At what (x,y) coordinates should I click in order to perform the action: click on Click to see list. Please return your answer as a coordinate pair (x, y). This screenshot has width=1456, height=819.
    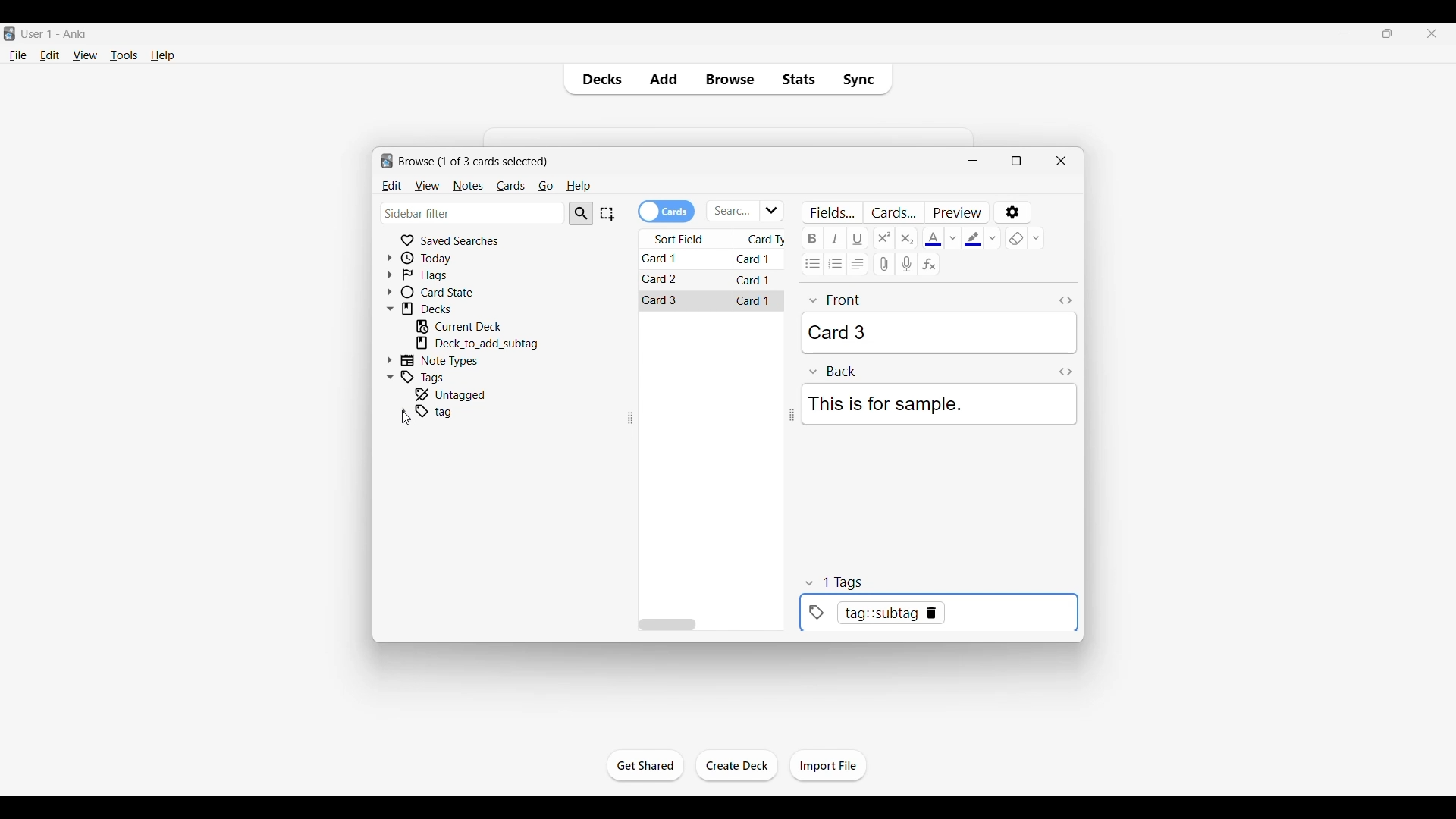
    Looking at the image, I should click on (773, 211).